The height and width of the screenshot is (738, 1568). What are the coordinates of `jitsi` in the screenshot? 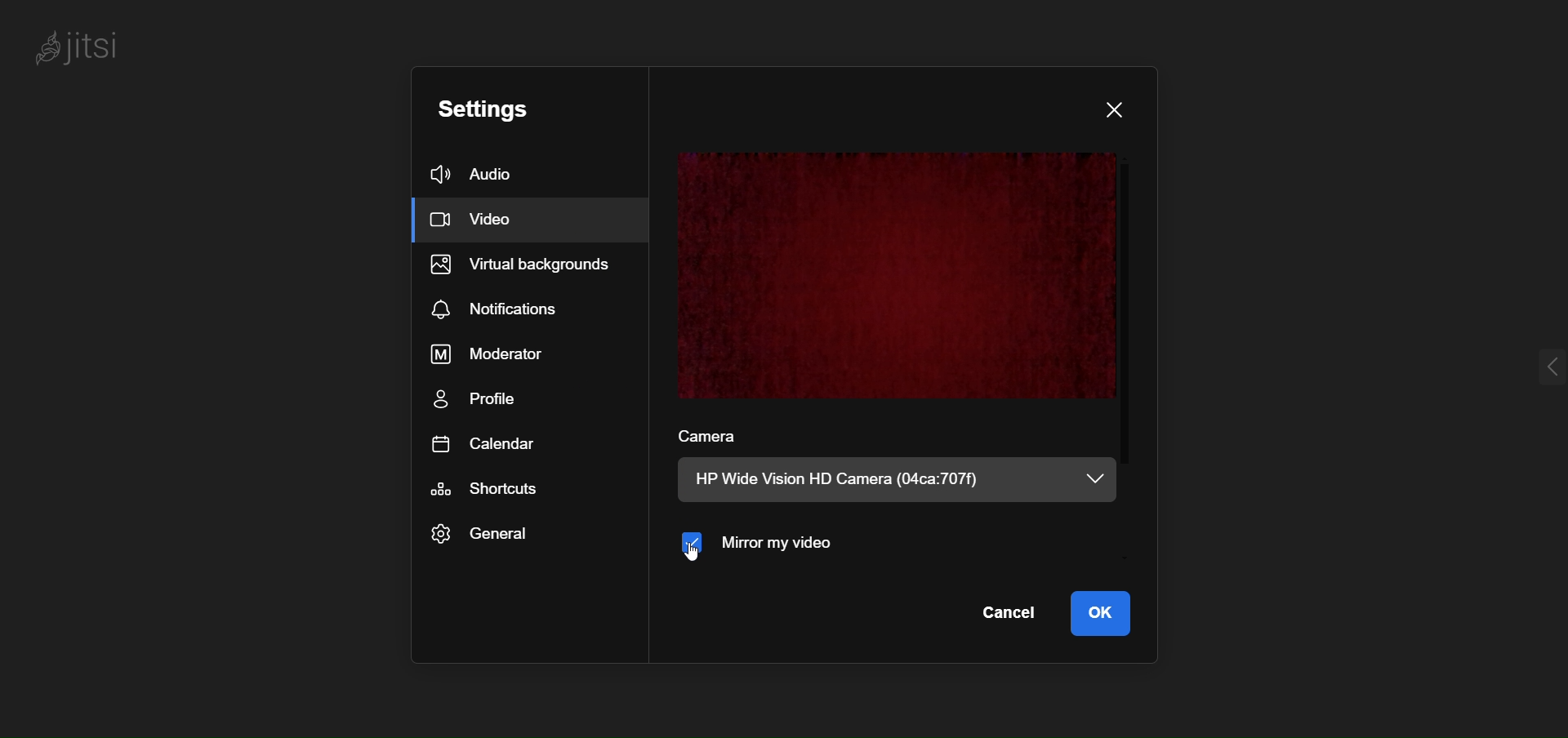 It's located at (81, 47).